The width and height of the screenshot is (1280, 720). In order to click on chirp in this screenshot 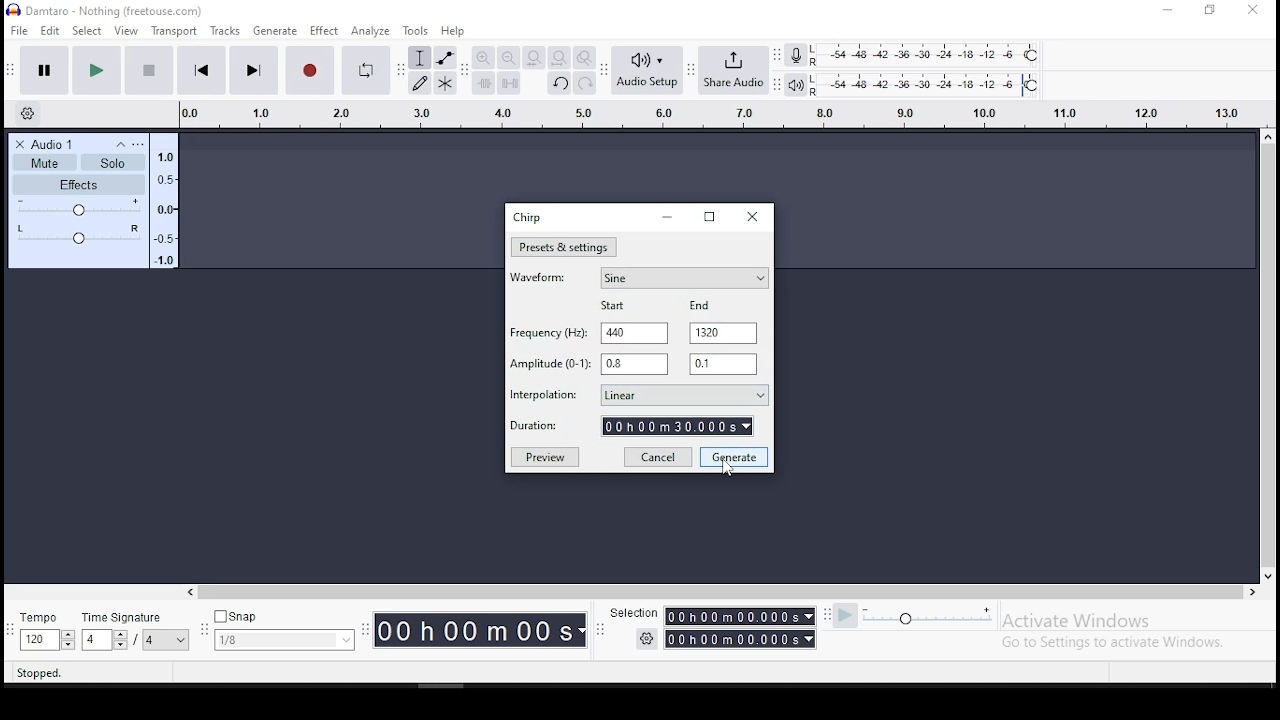, I will do `click(527, 218)`.